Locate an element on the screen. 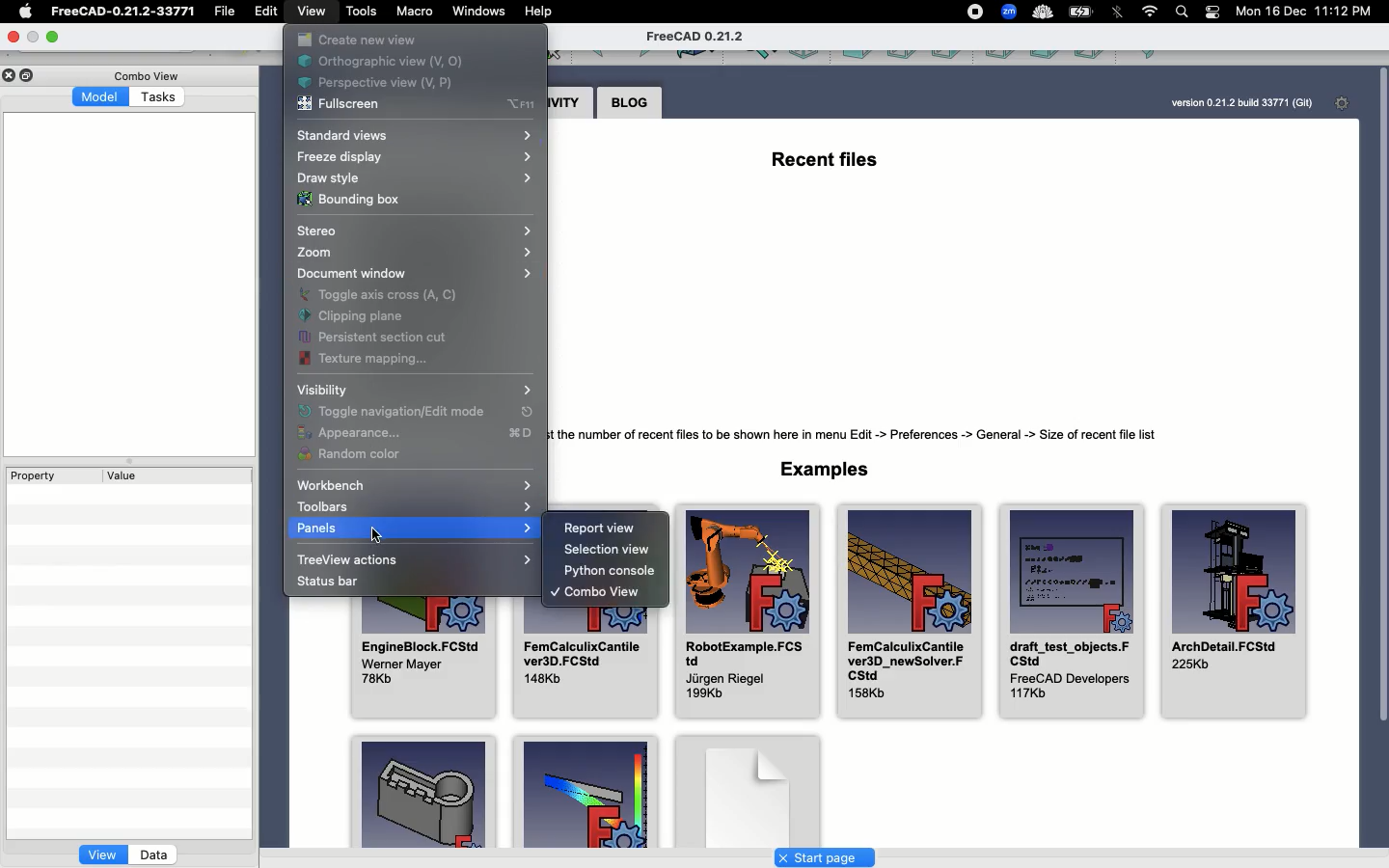 The width and height of the screenshot is (1389, 868). Examples is located at coordinates (749, 786).